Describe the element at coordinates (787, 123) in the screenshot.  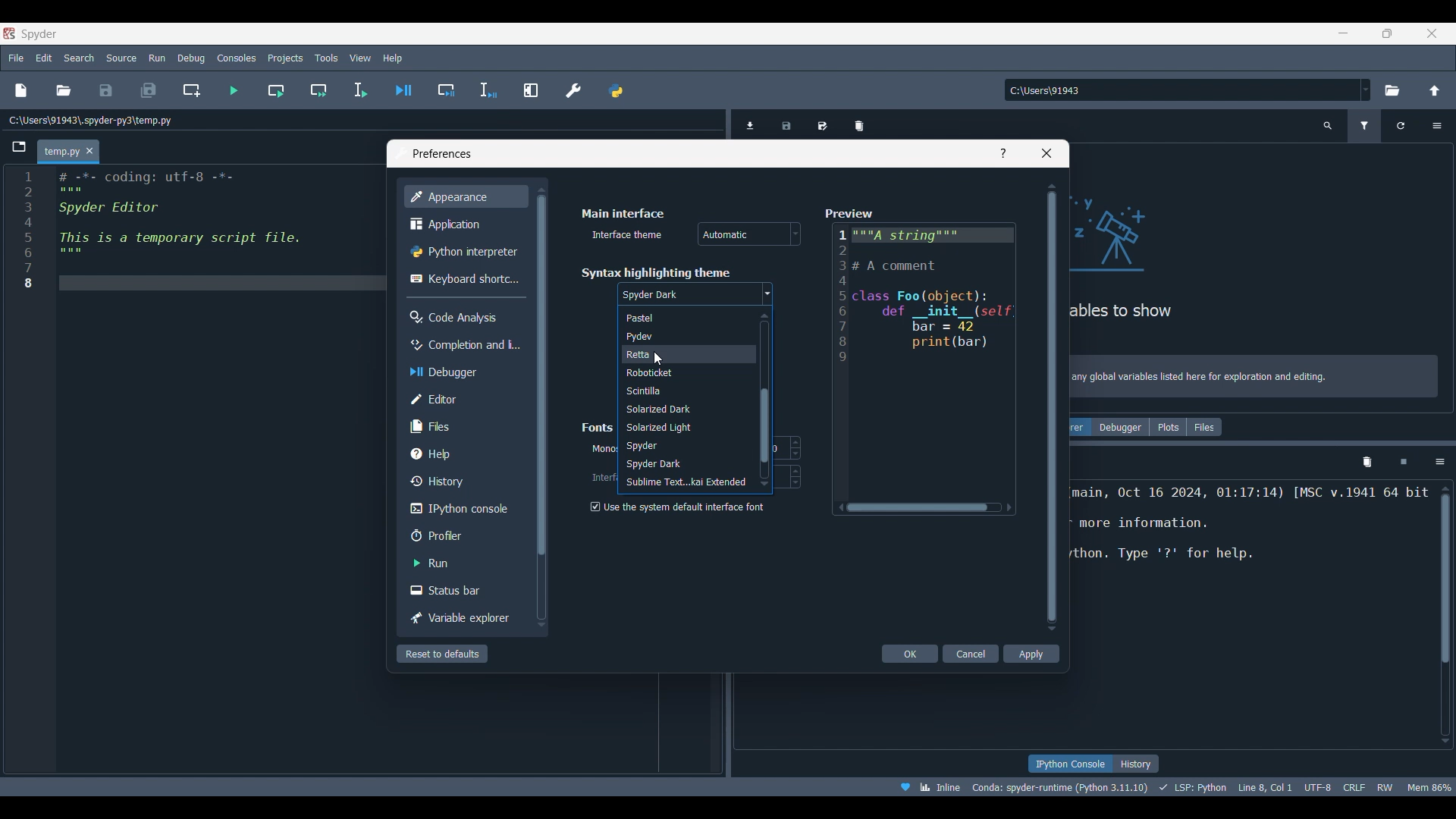
I see `Save data` at that location.